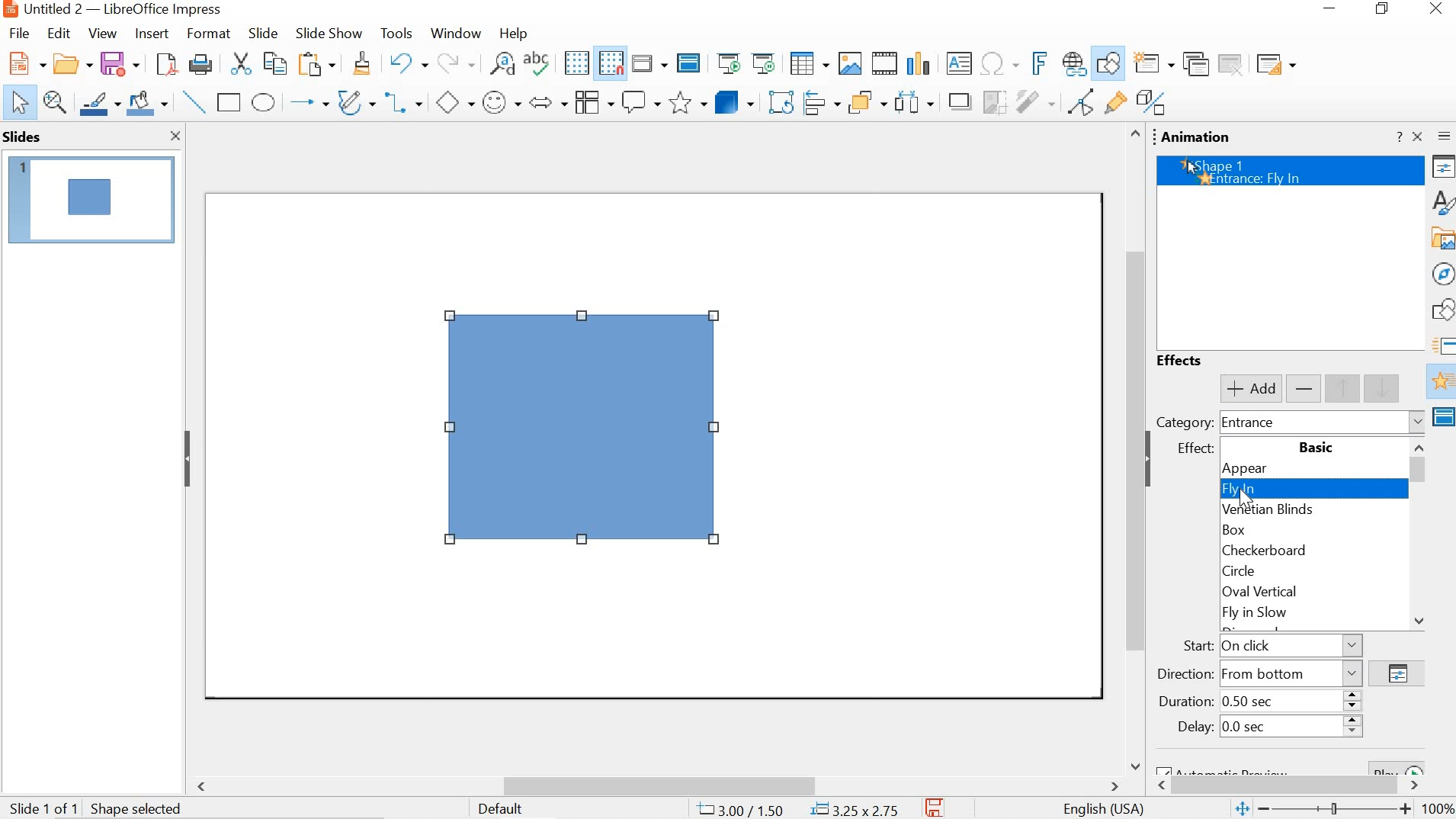 Image resolution: width=1456 pixels, height=819 pixels. What do you see at coordinates (685, 104) in the screenshot?
I see `stars and banners` at bounding box center [685, 104].